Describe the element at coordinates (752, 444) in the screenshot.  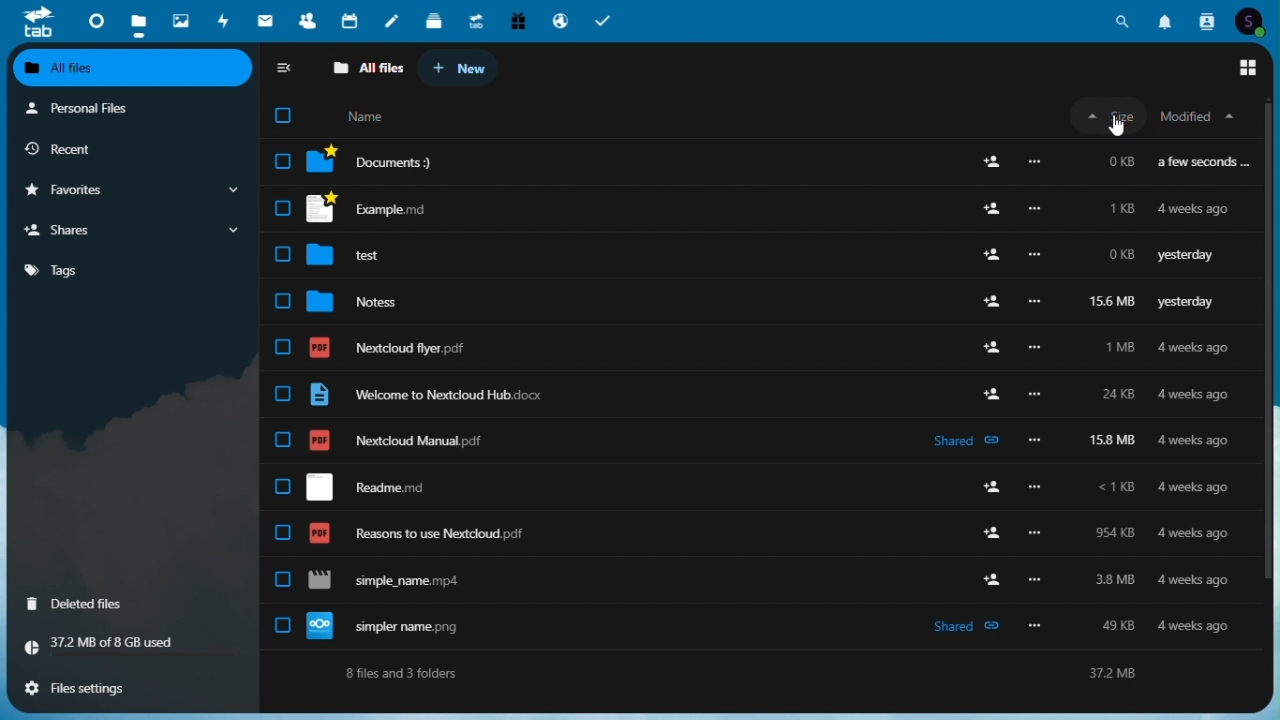
I see `Nextcdloud Manual pdf` at that location.